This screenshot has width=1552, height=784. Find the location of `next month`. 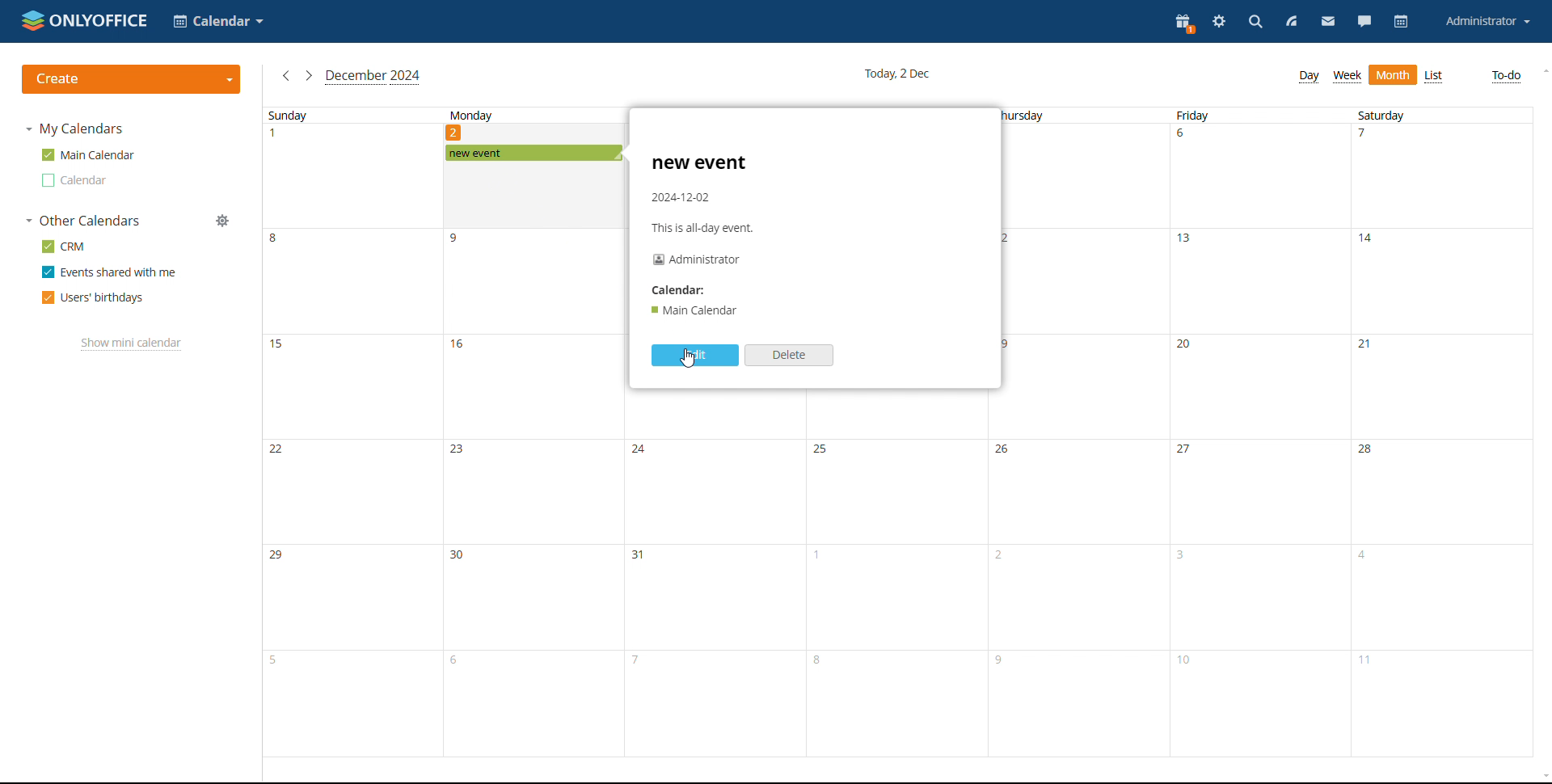

next month is located at coordinates (308, 75).